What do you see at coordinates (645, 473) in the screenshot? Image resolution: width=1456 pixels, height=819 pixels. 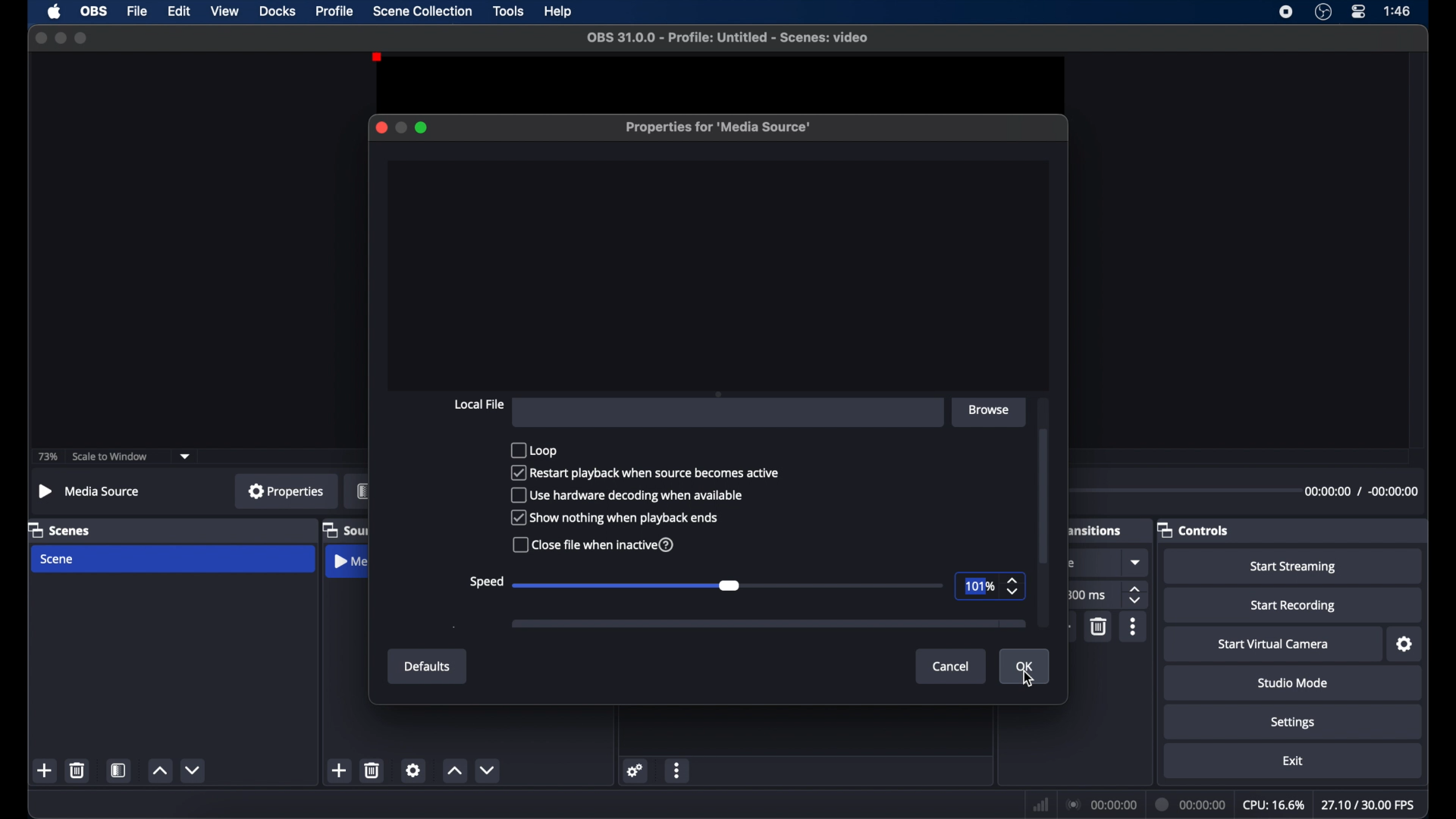 I see `restart playback when source becomes active` at bounding box center [645, 473].